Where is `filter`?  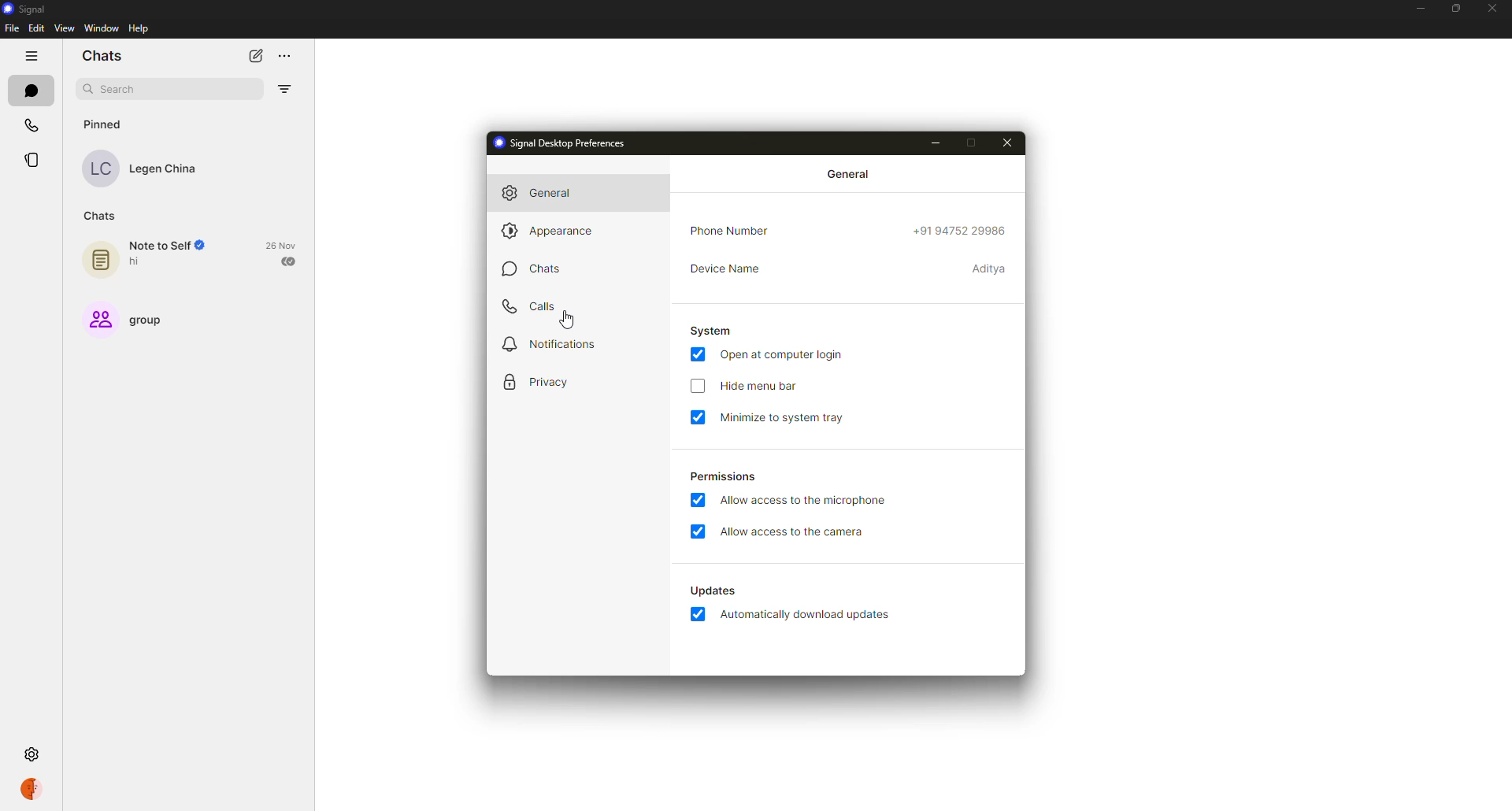 filter is located at coordinates (287, 89).